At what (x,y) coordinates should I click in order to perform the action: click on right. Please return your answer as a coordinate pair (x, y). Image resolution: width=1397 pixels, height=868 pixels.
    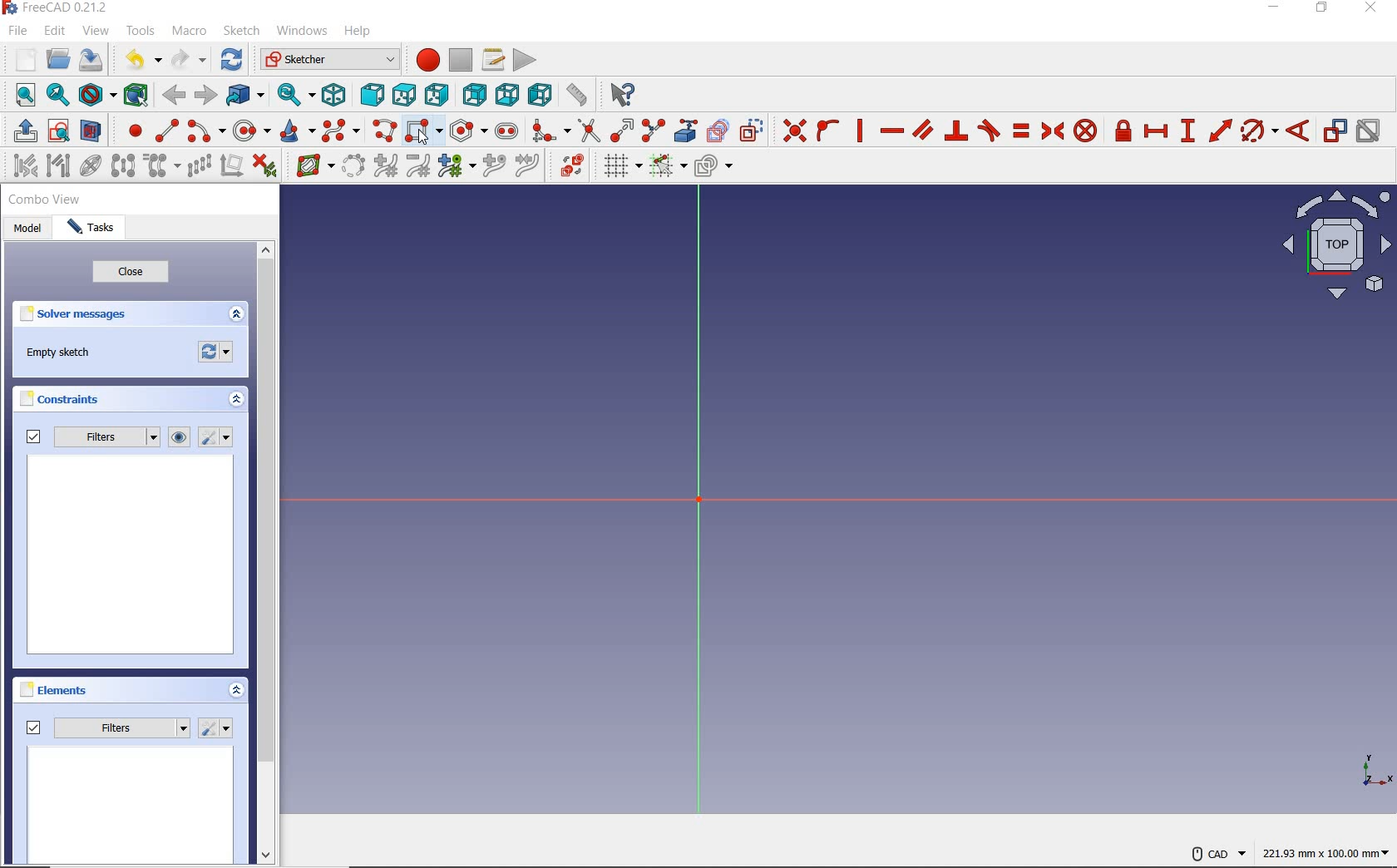
    Looking at the image, I should click on (439, 96).